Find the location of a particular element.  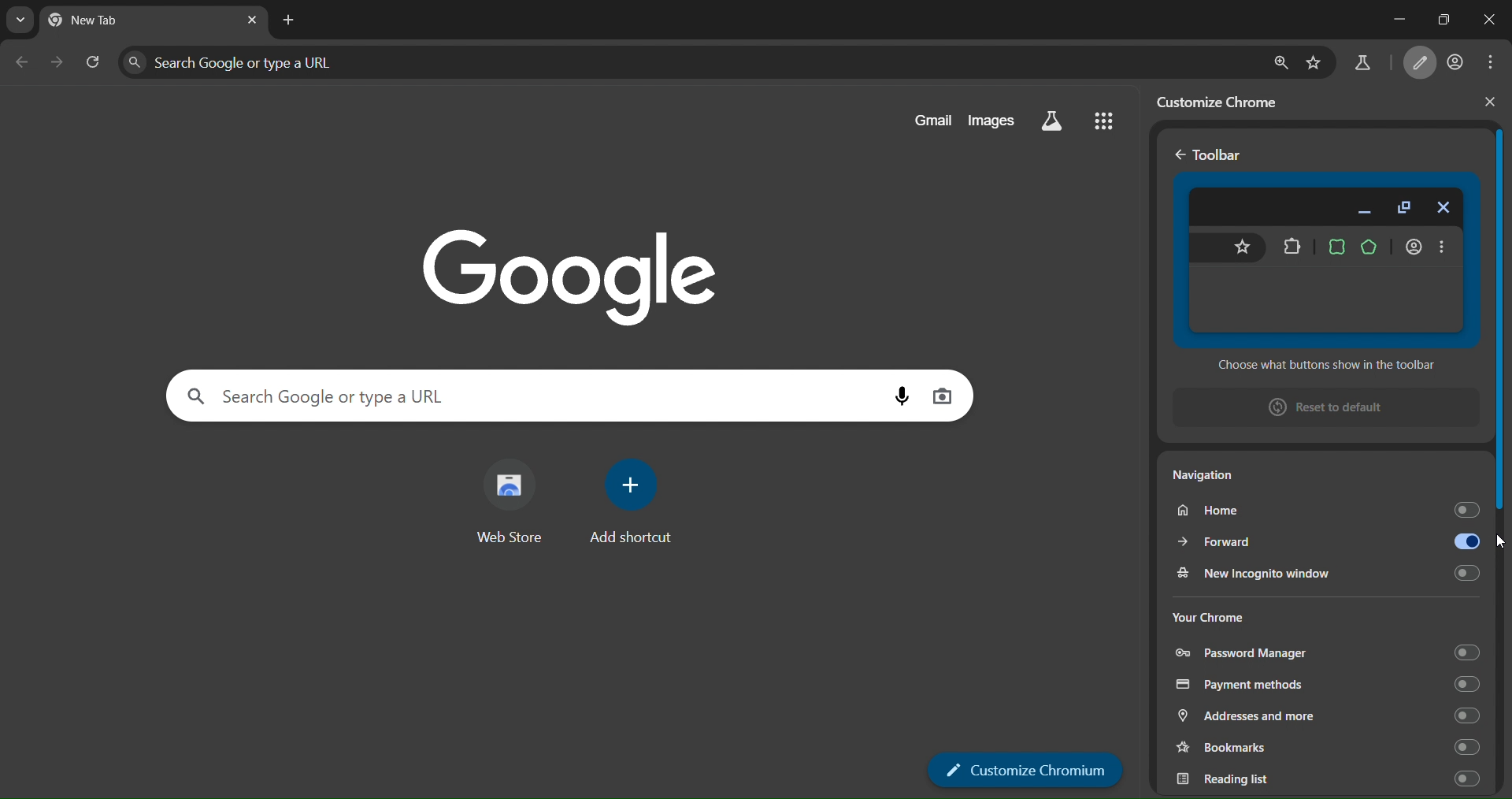

new incognito window is located at coordinates (1325, 571).